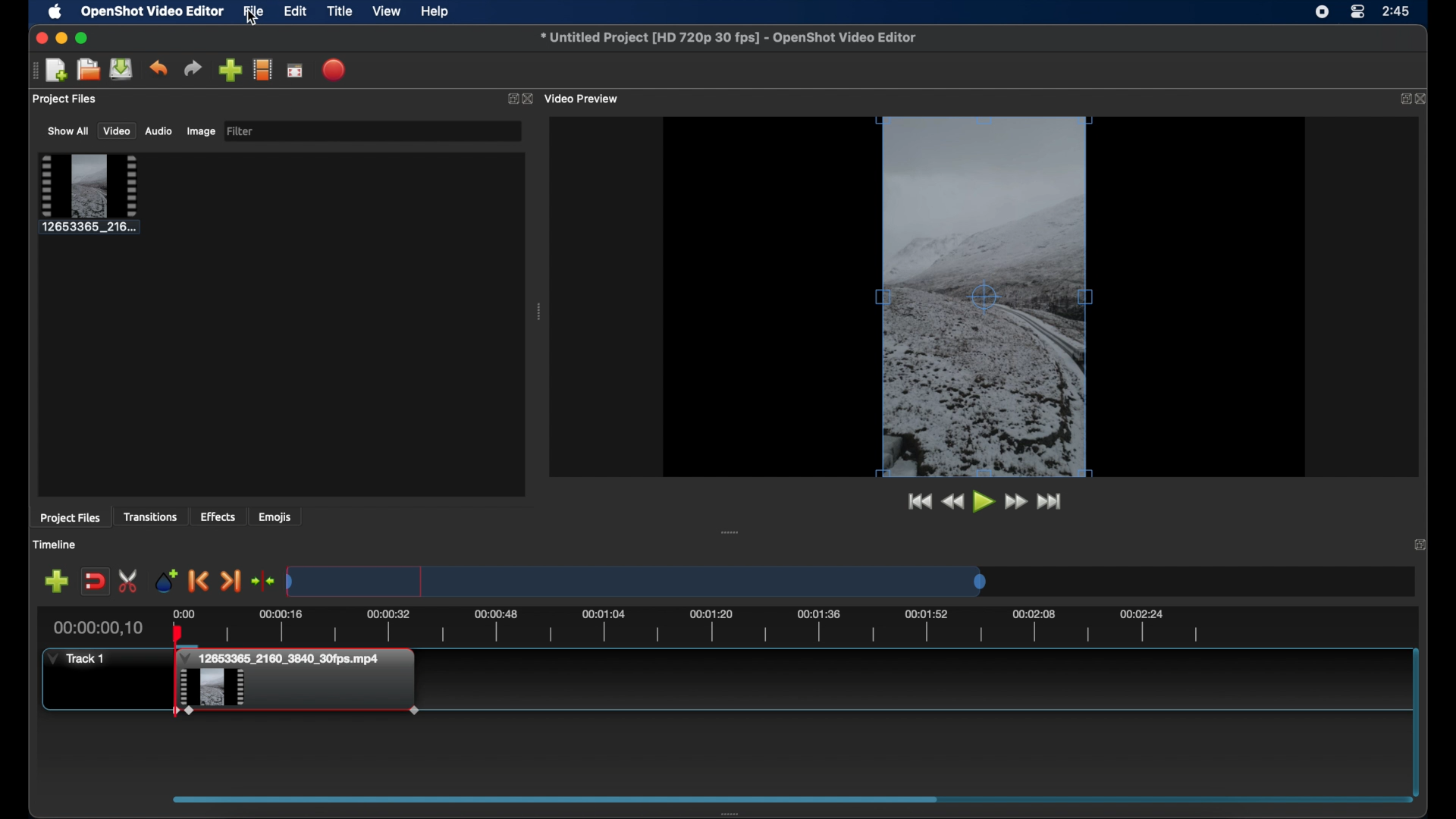 This screenshot has height=819, width=1456. I want to click on image, so click(199, 131).